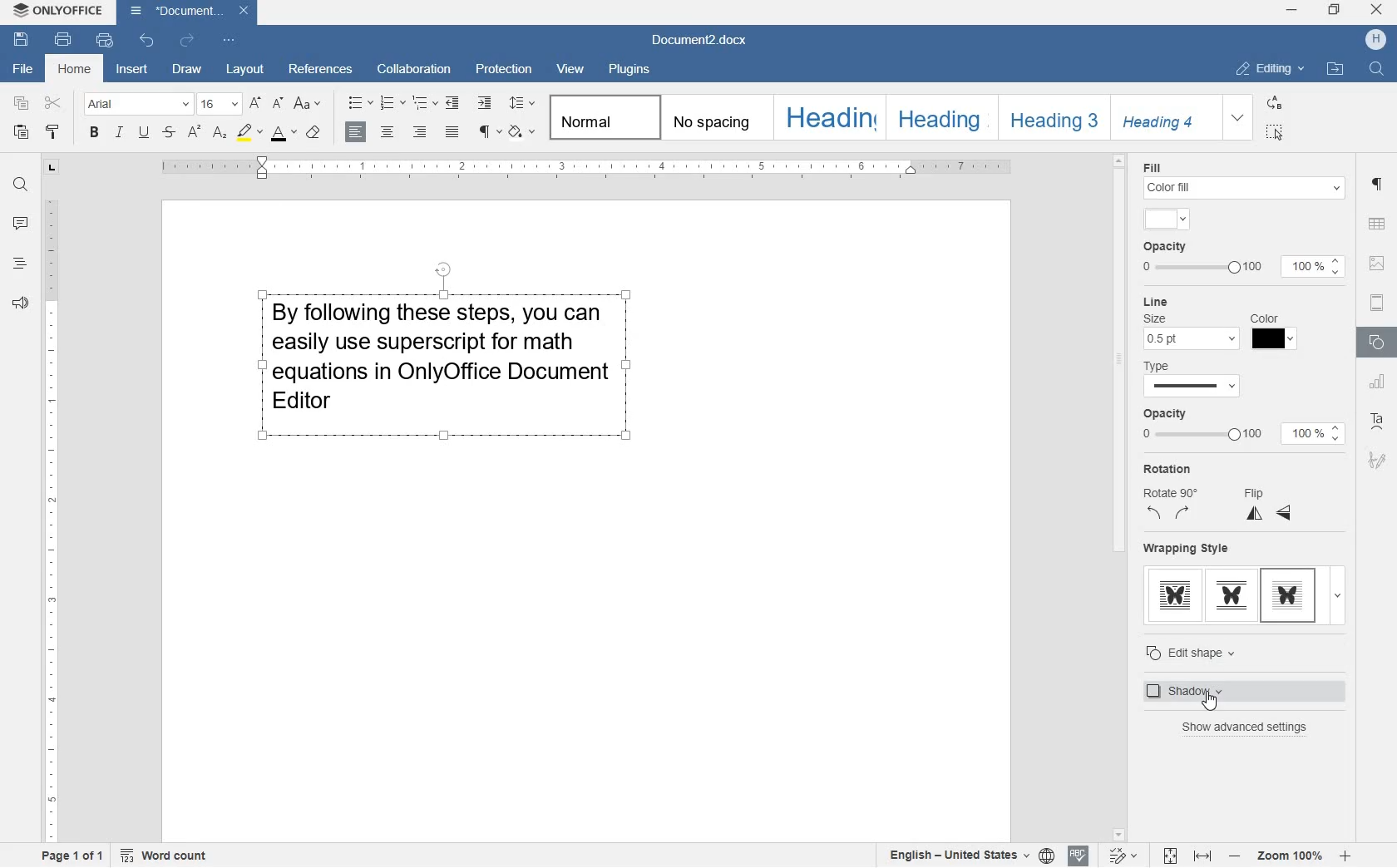 The height and width of the screenshot is (868, 1397). I want to click on tab, so click(51, 169).